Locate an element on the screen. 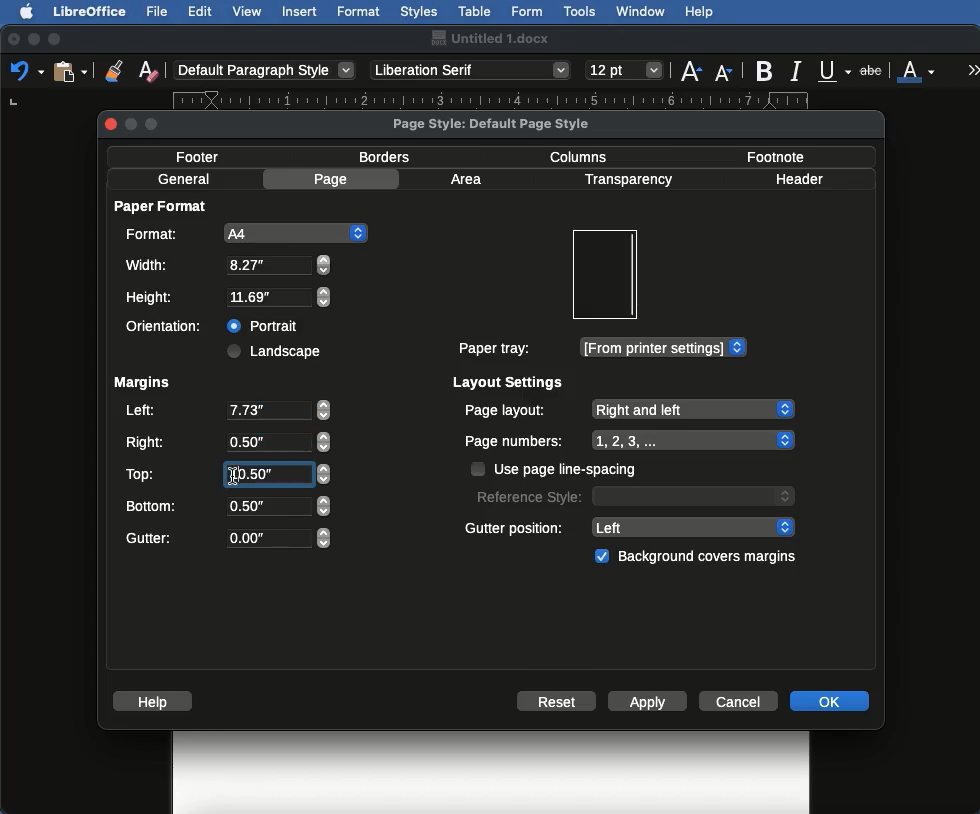  Paragraph style is located at coordinates (266, 70).